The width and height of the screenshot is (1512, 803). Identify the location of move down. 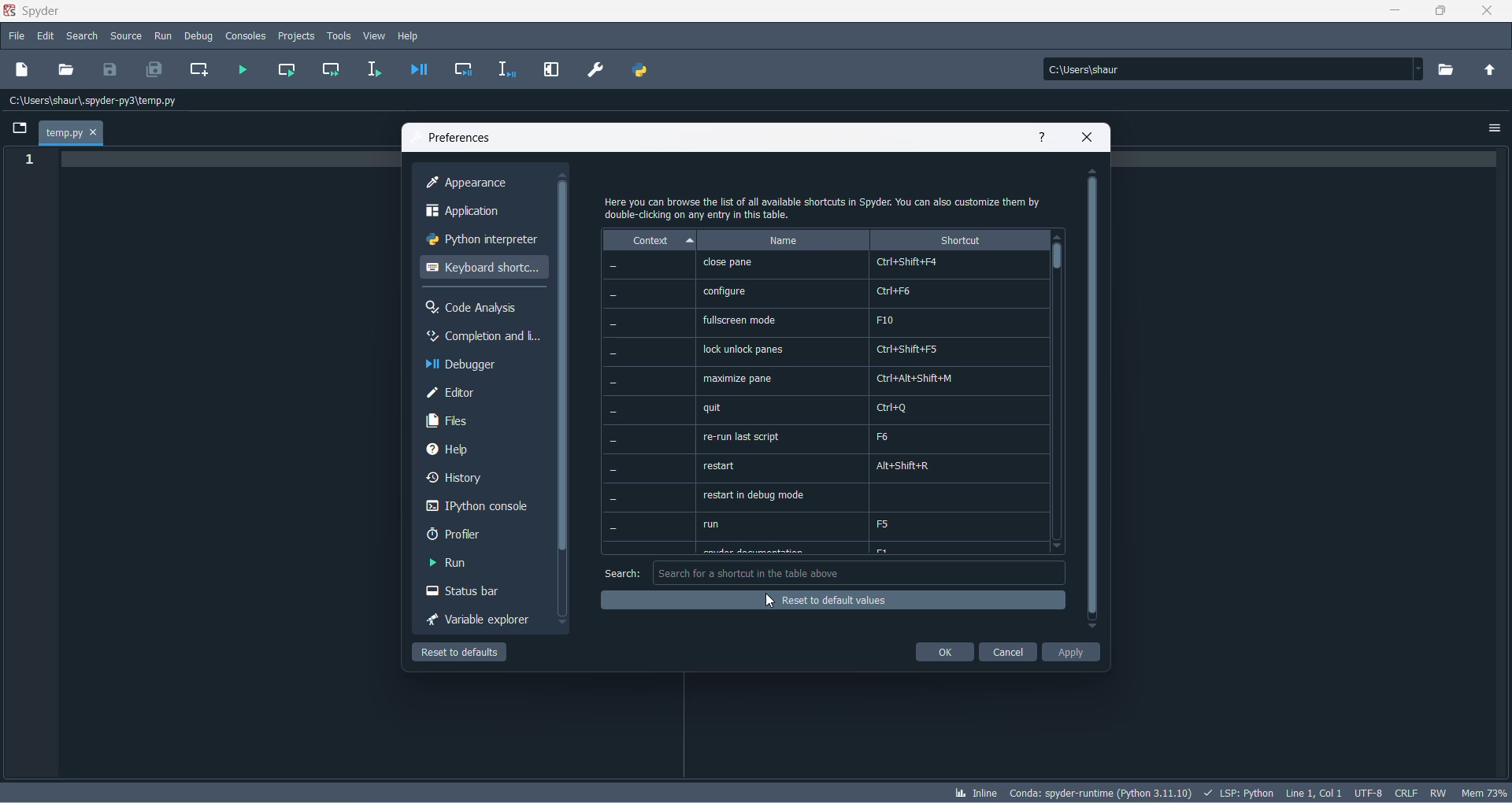
(1059, 549).